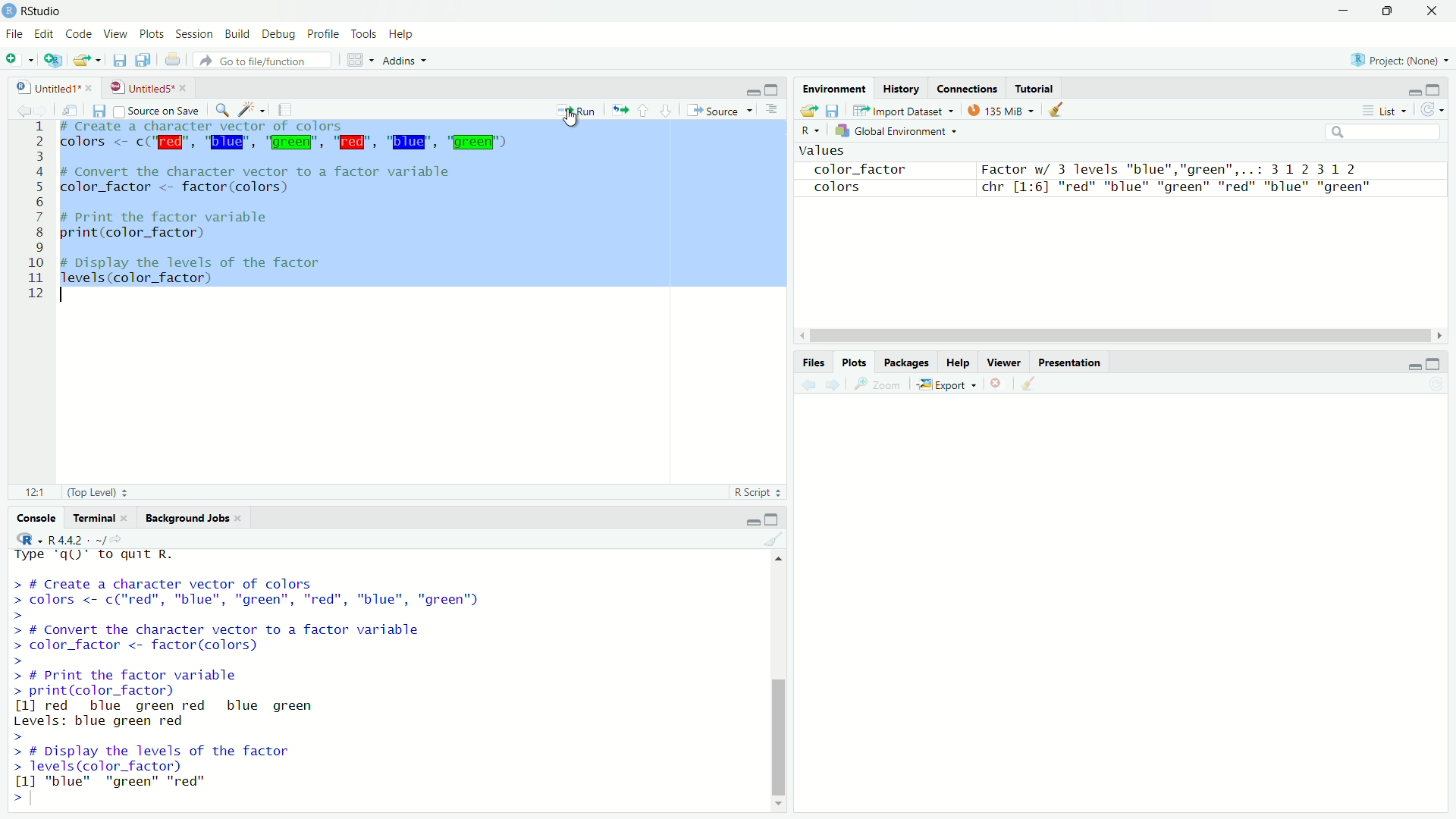 This screenshot has height=819, width=1456. Describe the element at coordinates (88, 60) in the screenshot. I see `open an existing file` at that location.